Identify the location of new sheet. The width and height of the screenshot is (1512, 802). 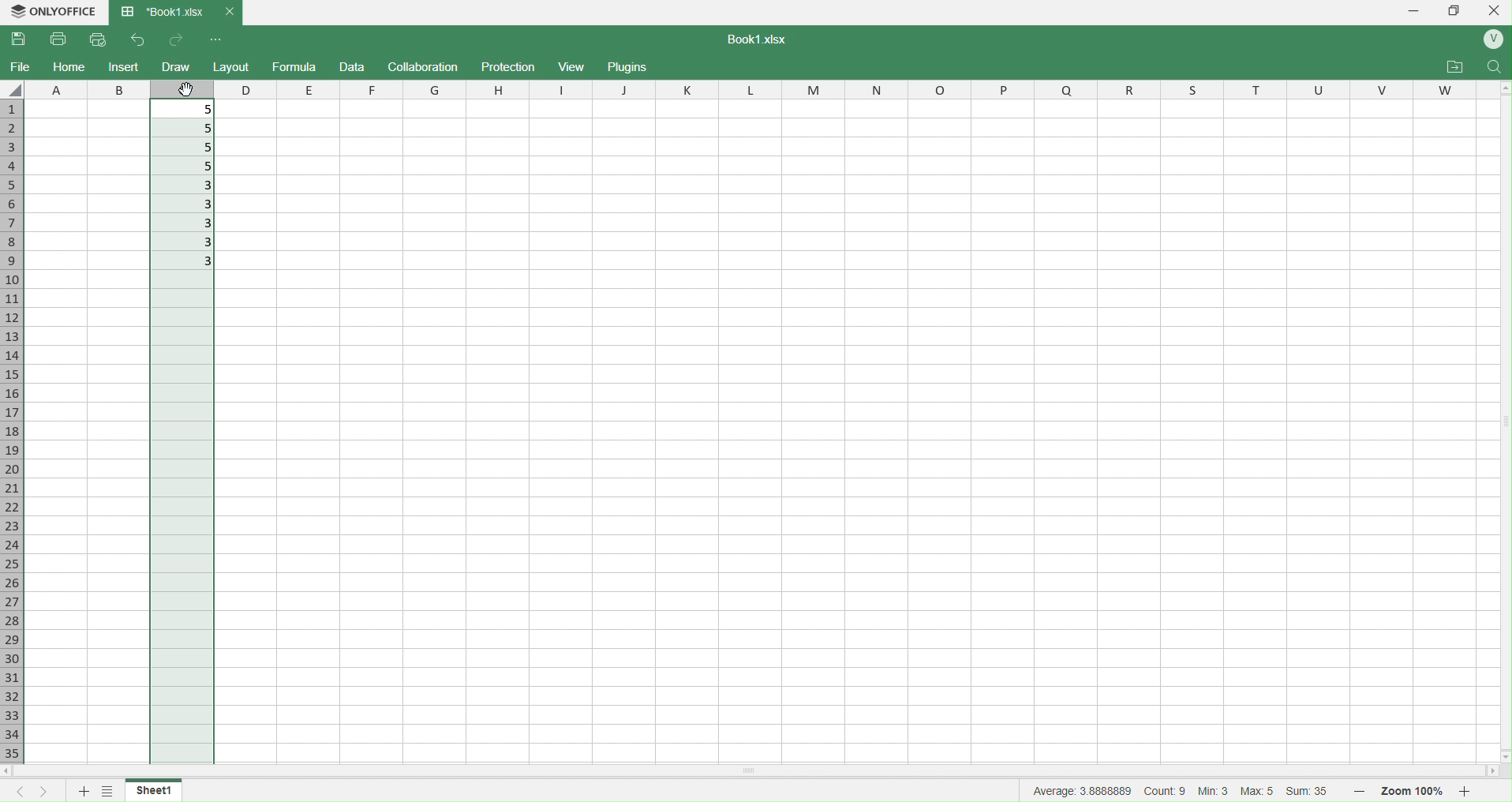
(85, 791).